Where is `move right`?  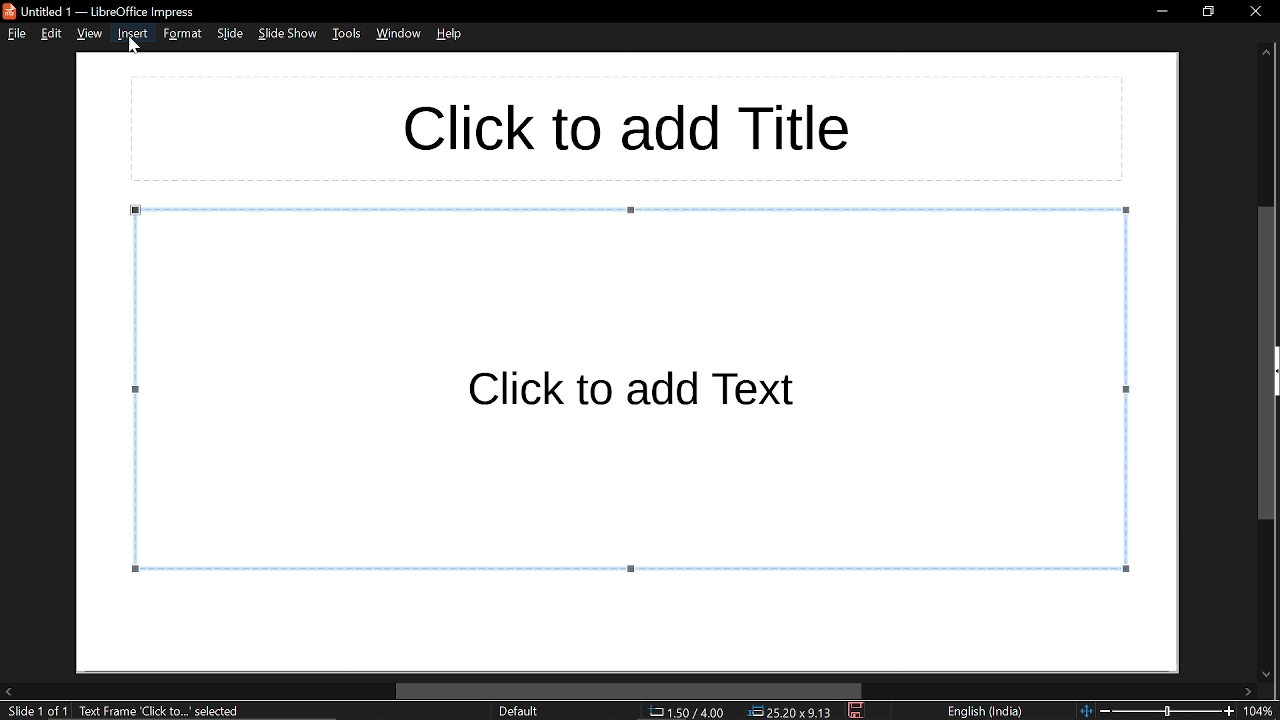 move right is located at coordinates (1249, 691).